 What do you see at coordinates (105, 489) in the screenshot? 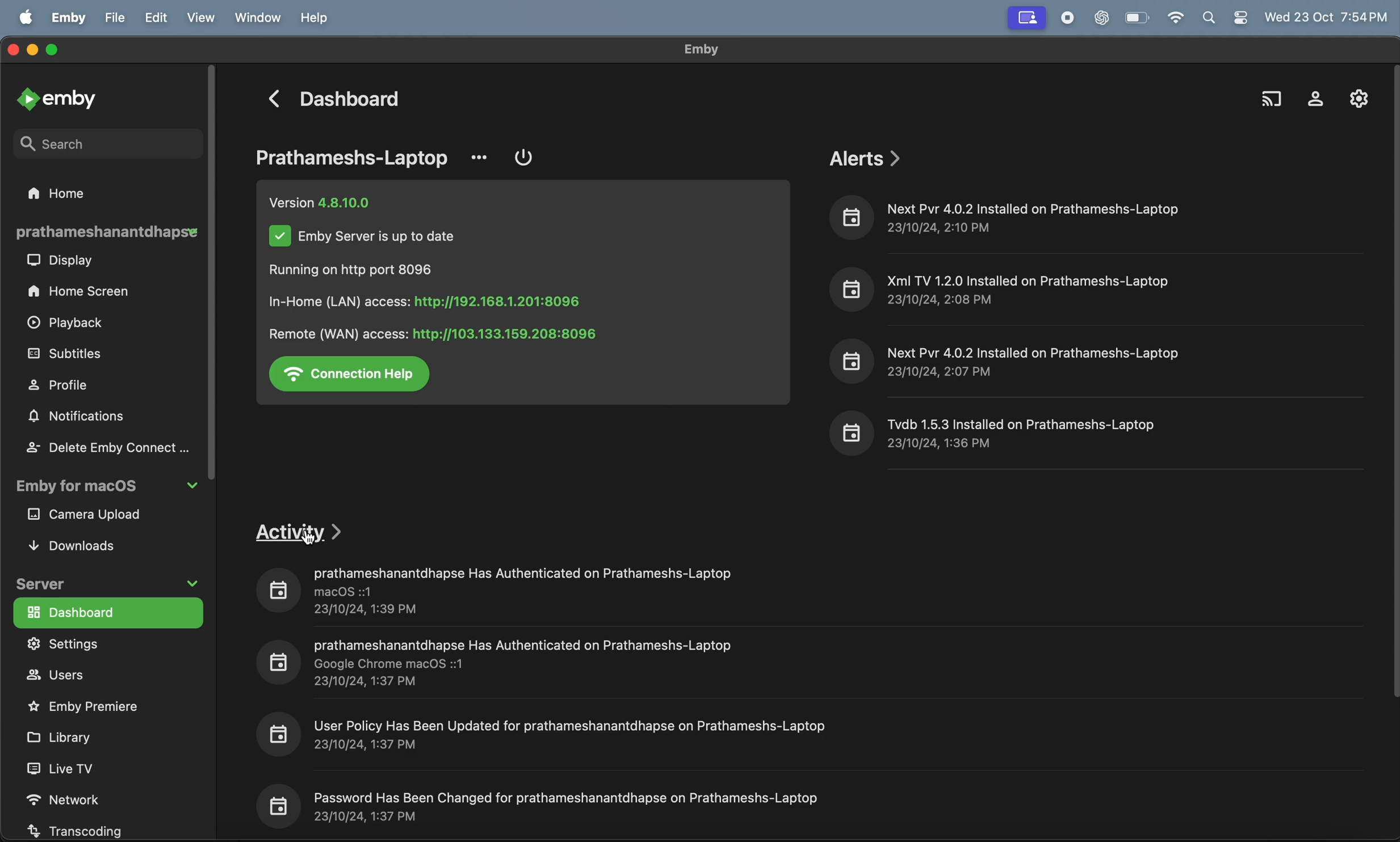
I see `emby for mac os` at bounding box center [105, 489].